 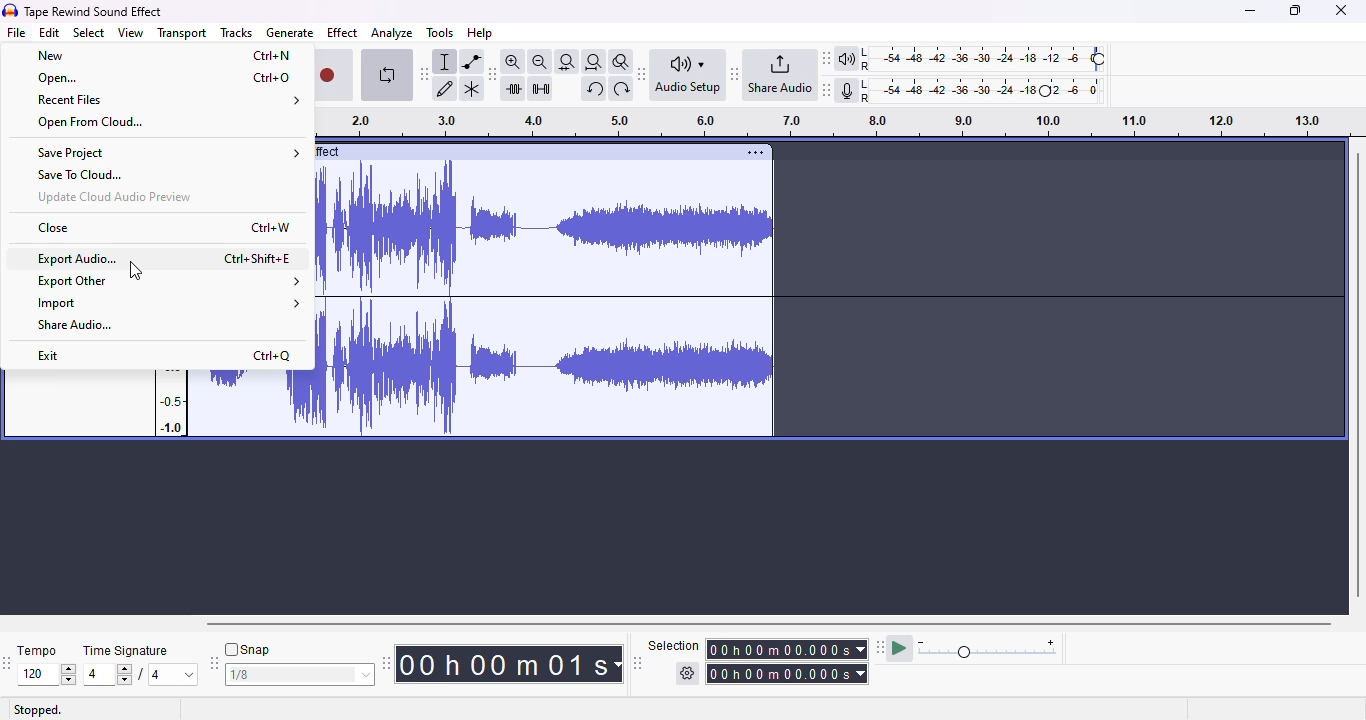 I want to click on fit project to width, so click(x=594, y=61).